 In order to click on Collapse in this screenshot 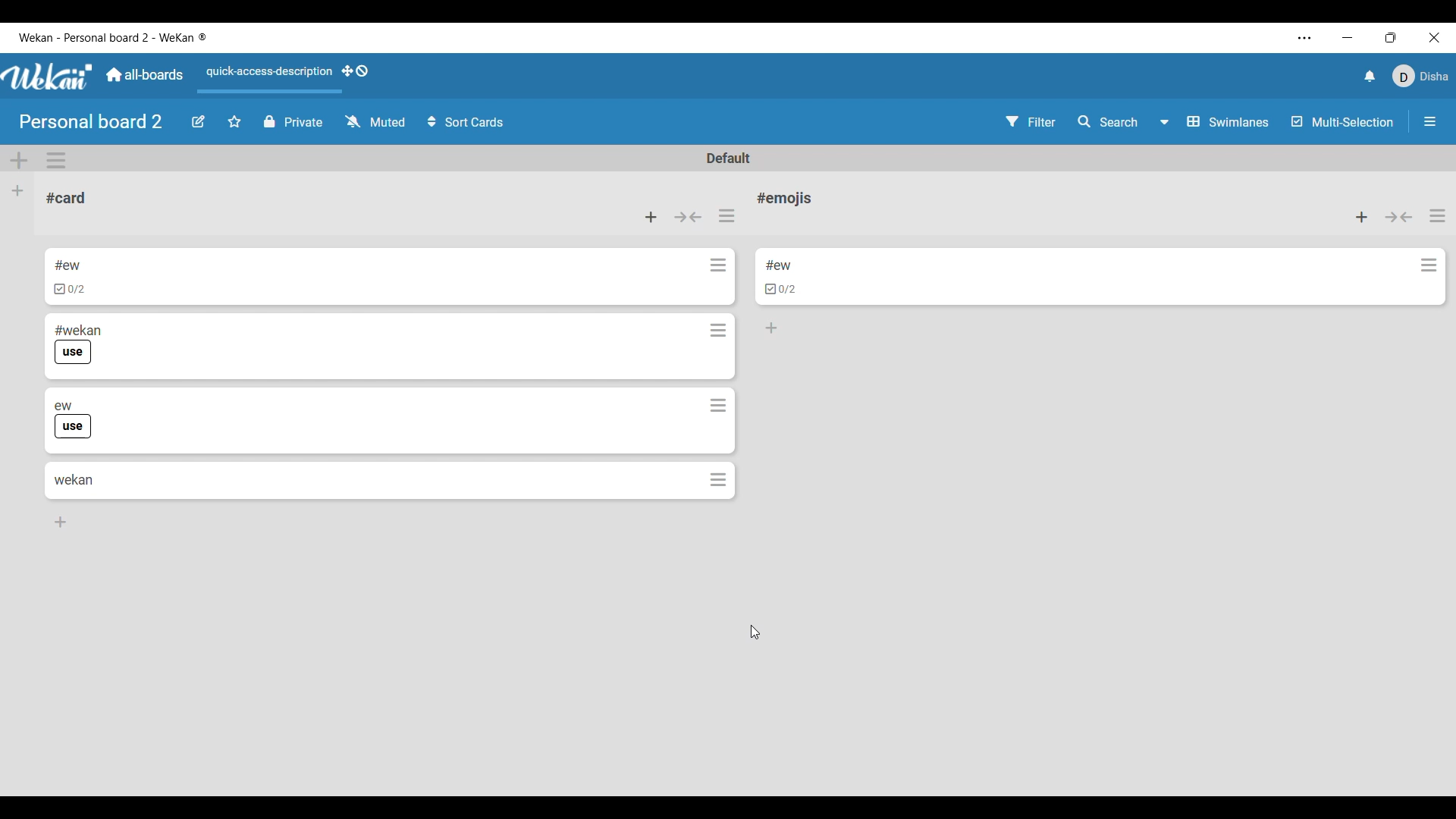, I will do `click(1399, 217)`.